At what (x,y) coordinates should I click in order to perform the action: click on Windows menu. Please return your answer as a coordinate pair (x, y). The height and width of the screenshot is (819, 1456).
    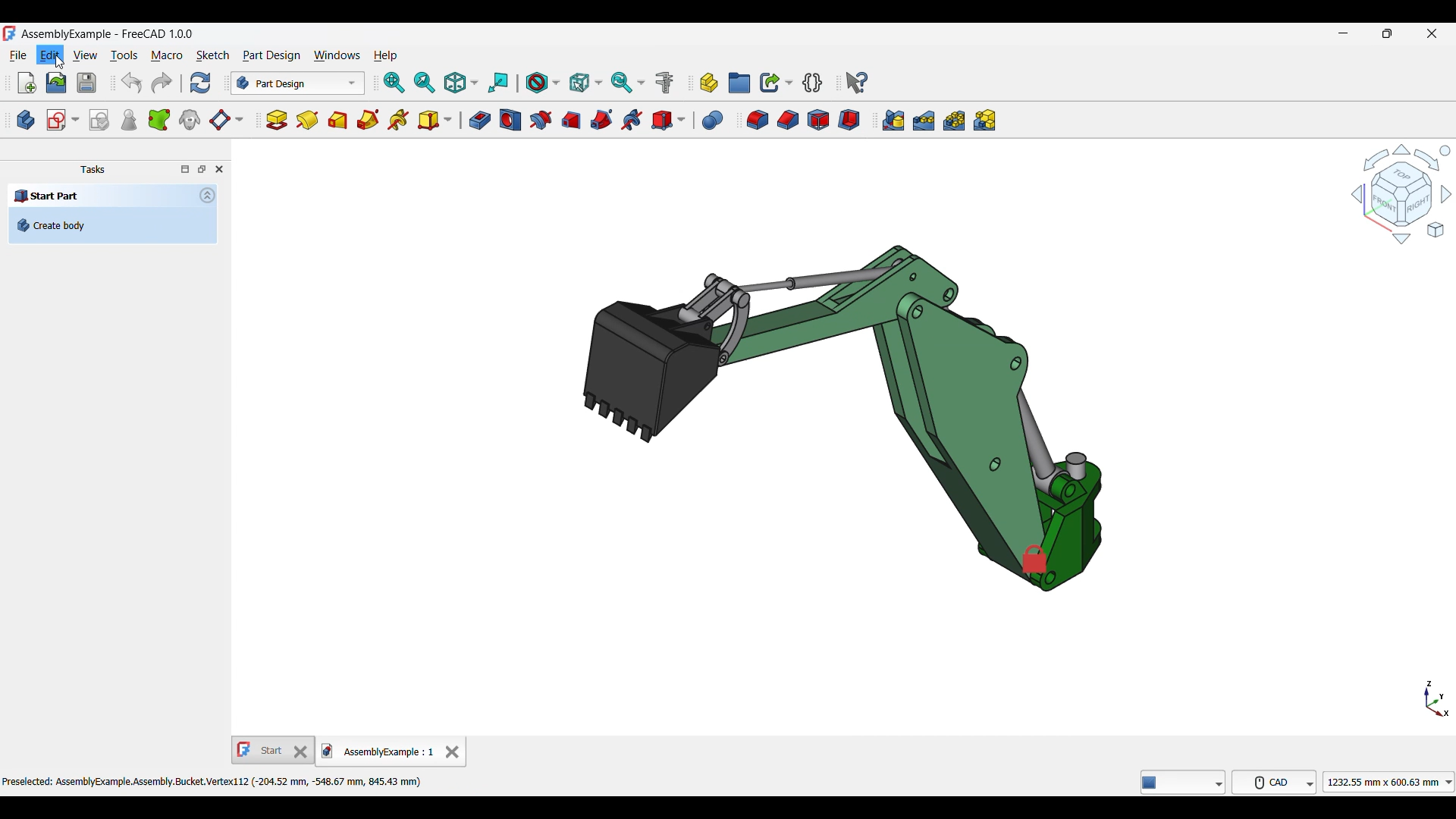
    Looking at the image, I should click on (337, 56).